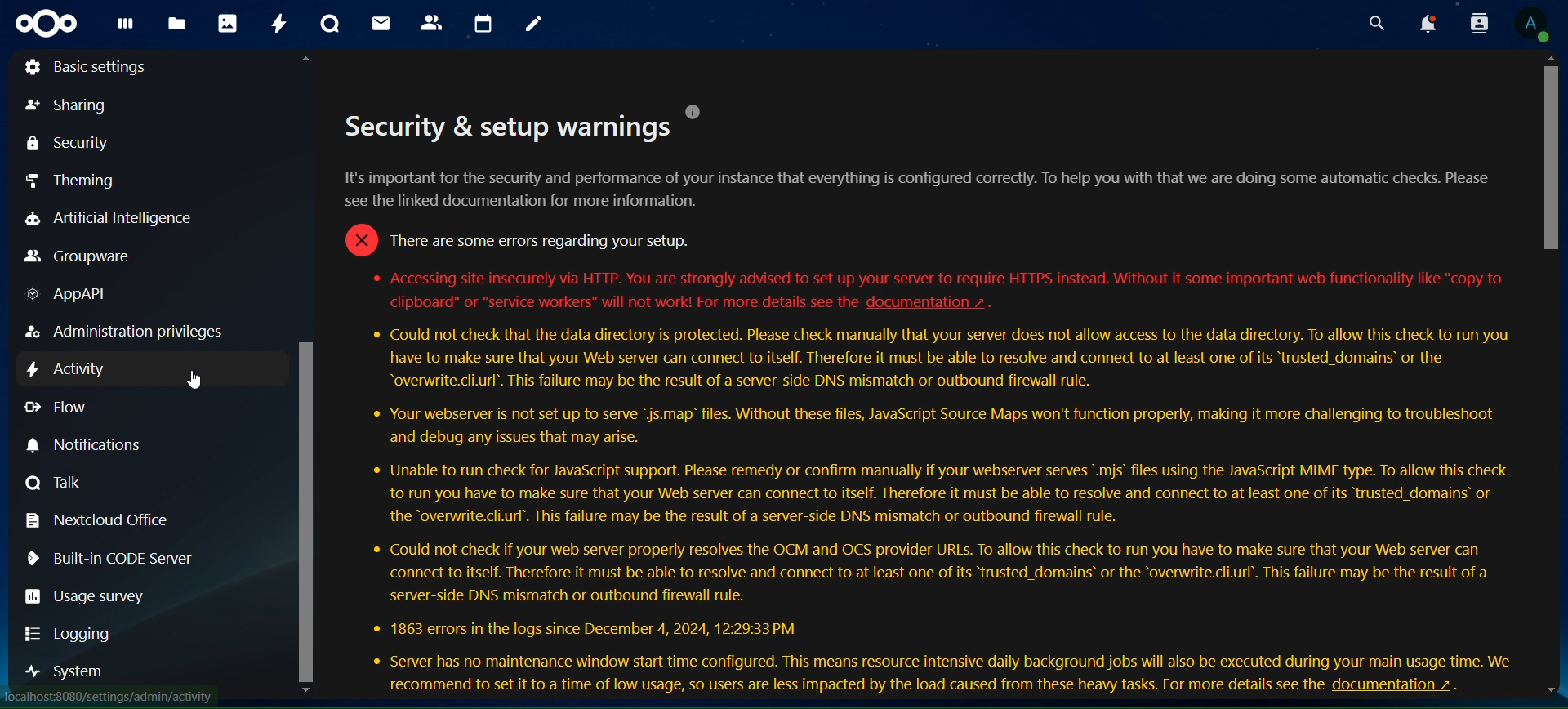 The height and width of the screenshot is (709, 1568). I want to click on cursor, so click(195, 382).